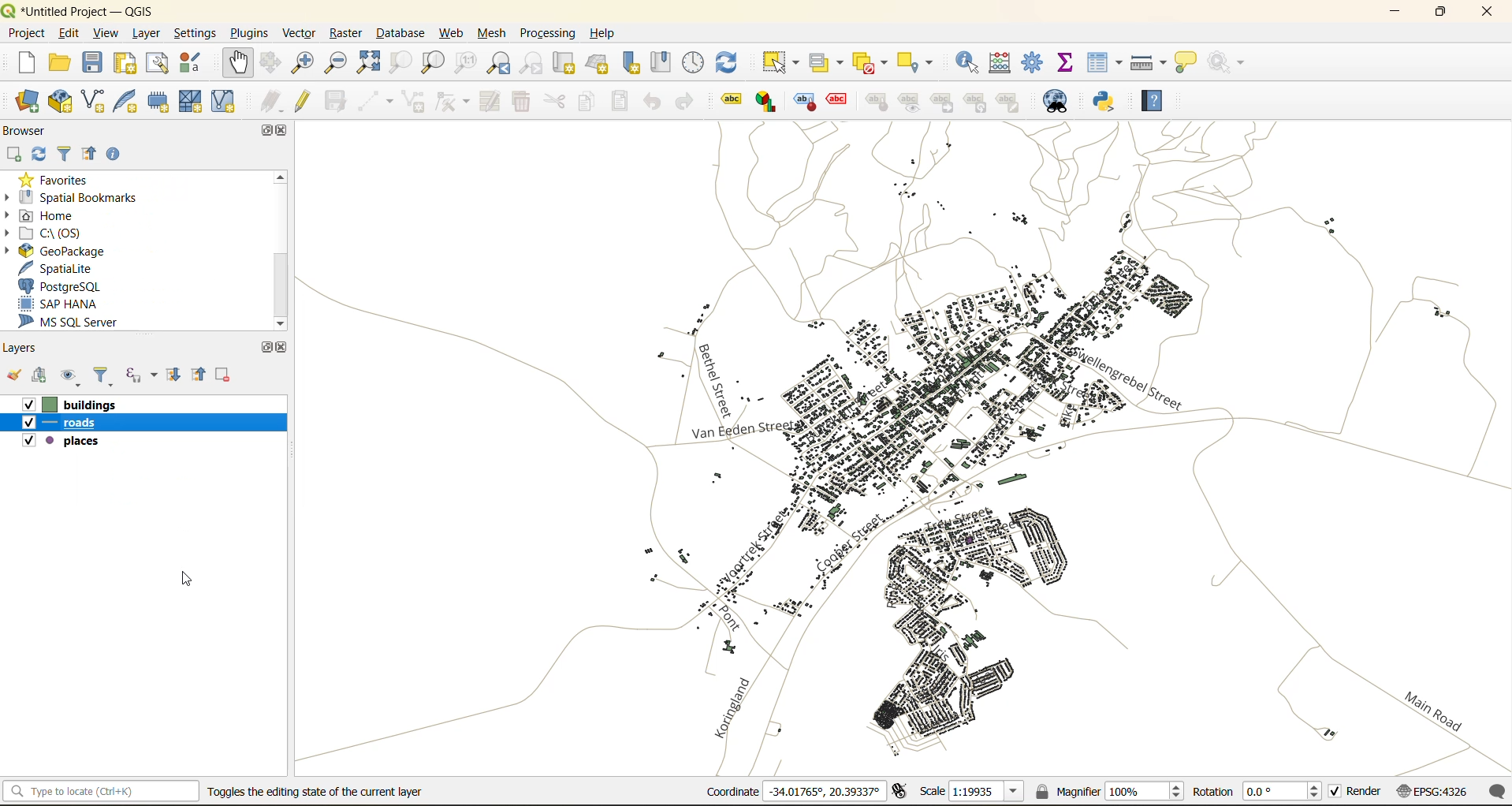 Image resolution: width=1512 pixels, height=806 pixels. What do you see at coordinates (1103, 63) in the screenshot?
I see `attributes table` at bounding box center [1103, 63].